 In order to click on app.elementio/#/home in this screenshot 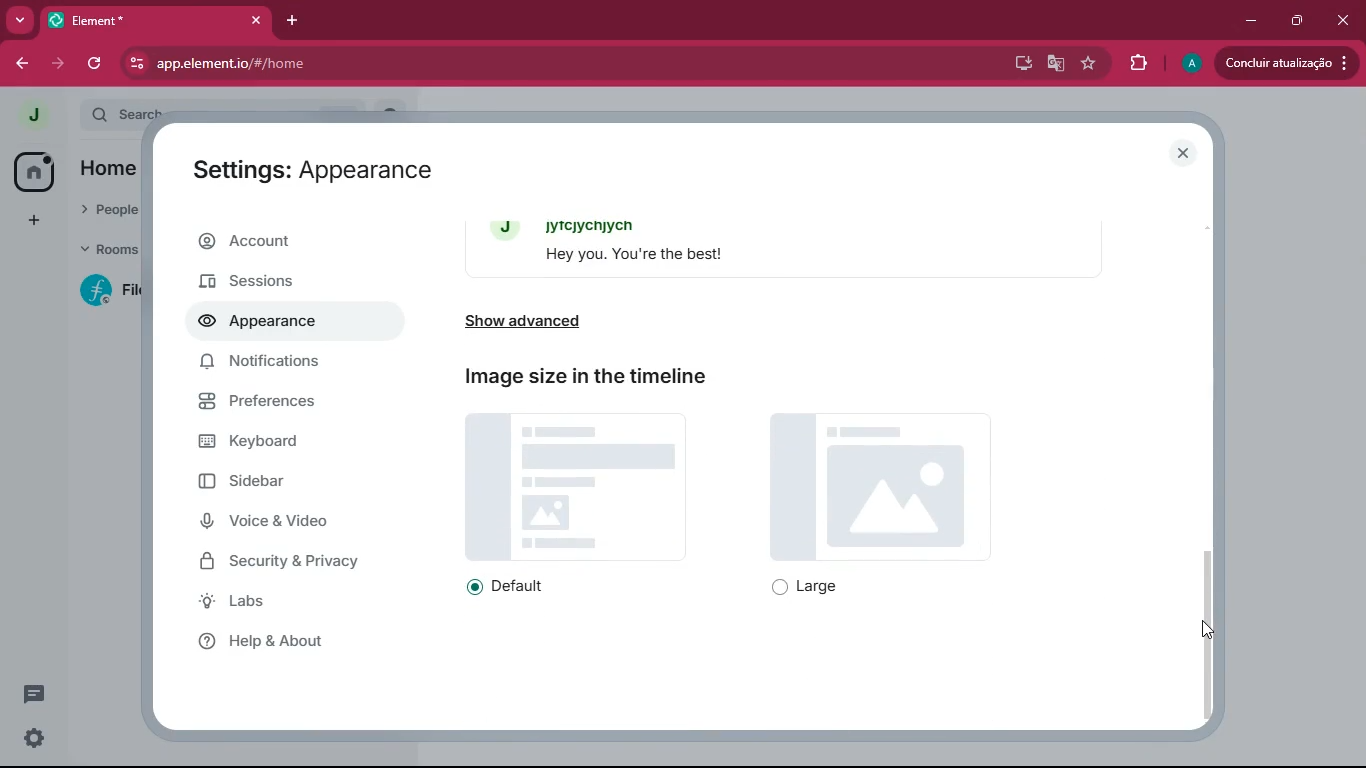, I will do `click(371, 63)`.